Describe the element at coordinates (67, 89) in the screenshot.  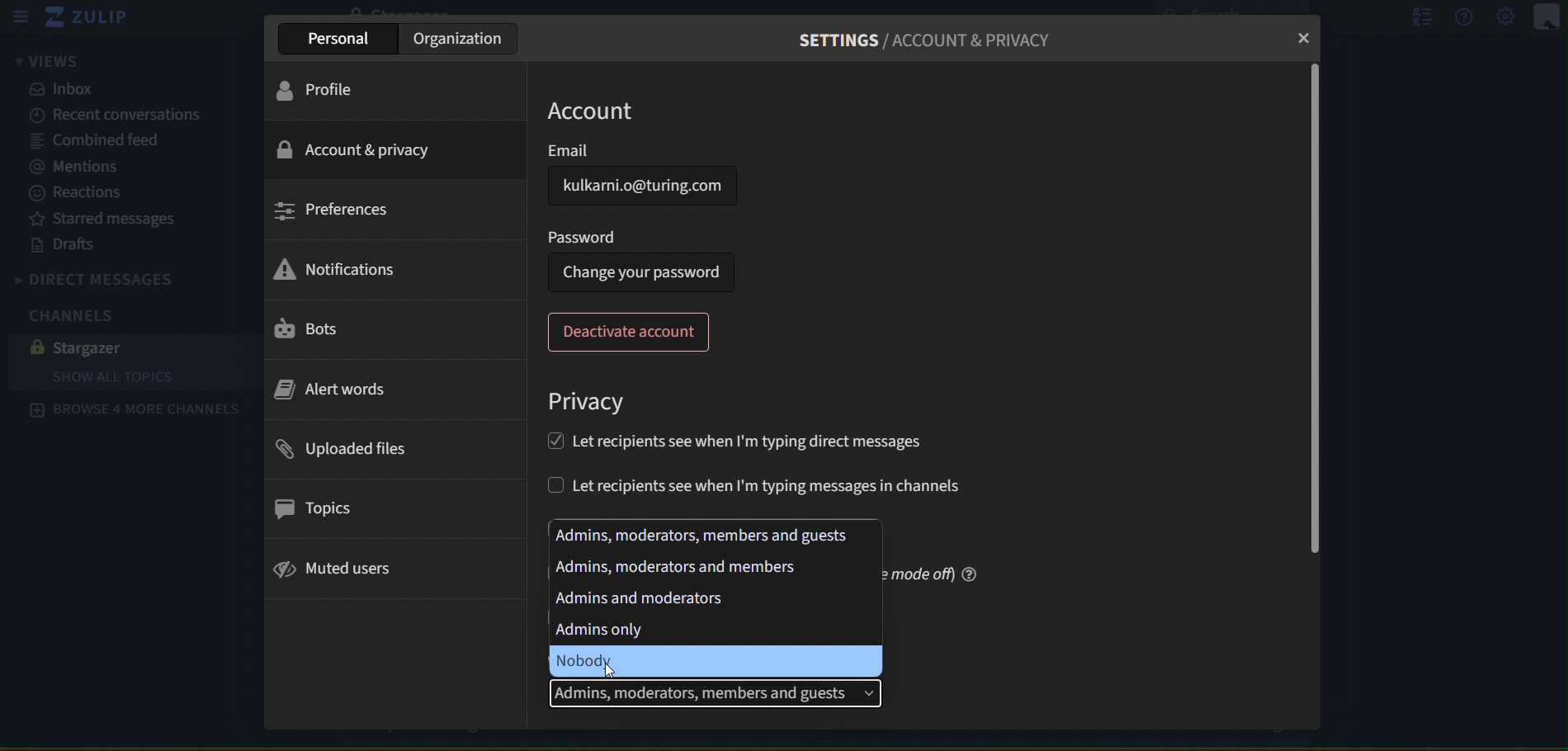
I see `inbox` at that location.